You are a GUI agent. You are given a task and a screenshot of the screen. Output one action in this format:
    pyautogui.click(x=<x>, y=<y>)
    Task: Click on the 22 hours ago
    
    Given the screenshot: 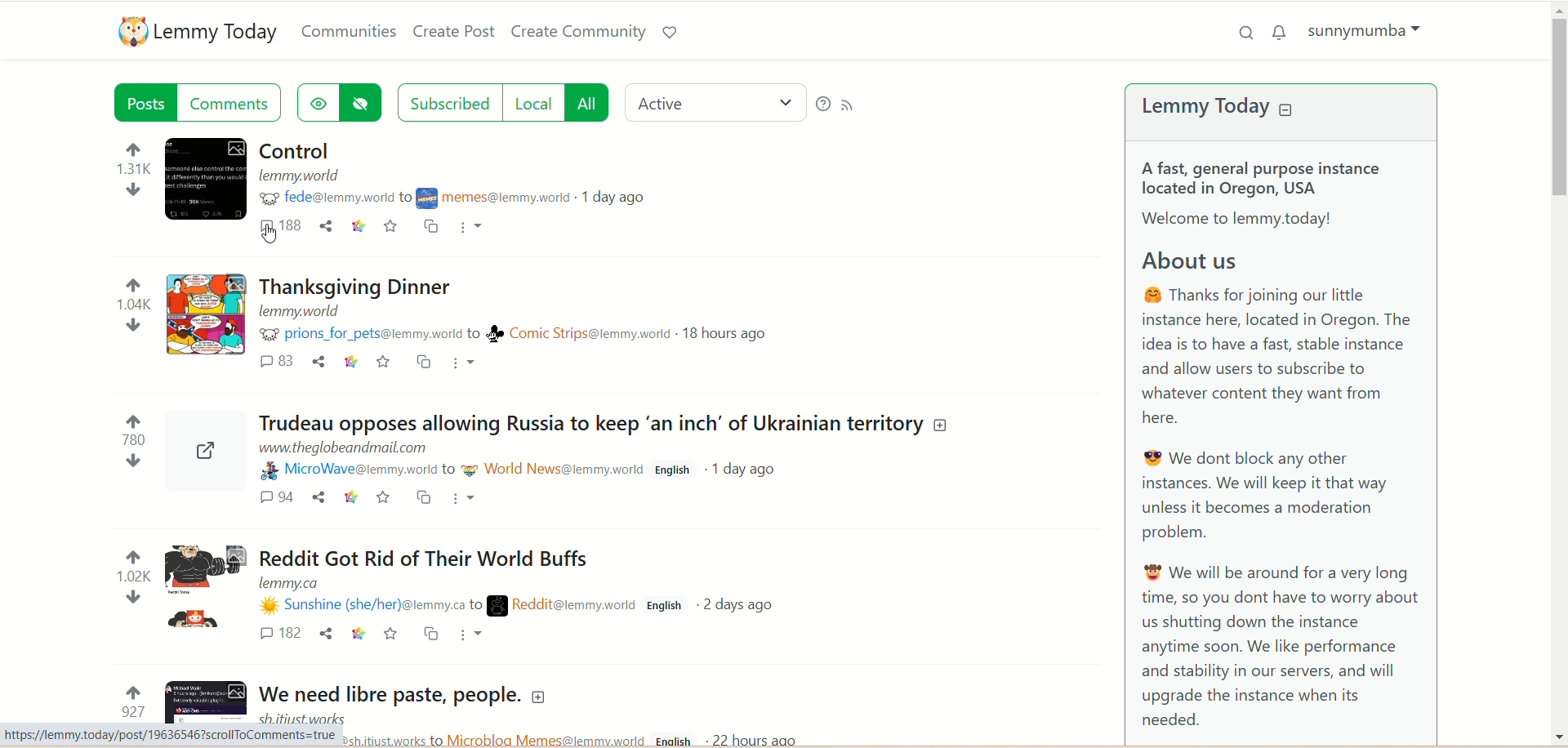 What is the action you would take?
    pyautogui.click(x=764, y=739)
    